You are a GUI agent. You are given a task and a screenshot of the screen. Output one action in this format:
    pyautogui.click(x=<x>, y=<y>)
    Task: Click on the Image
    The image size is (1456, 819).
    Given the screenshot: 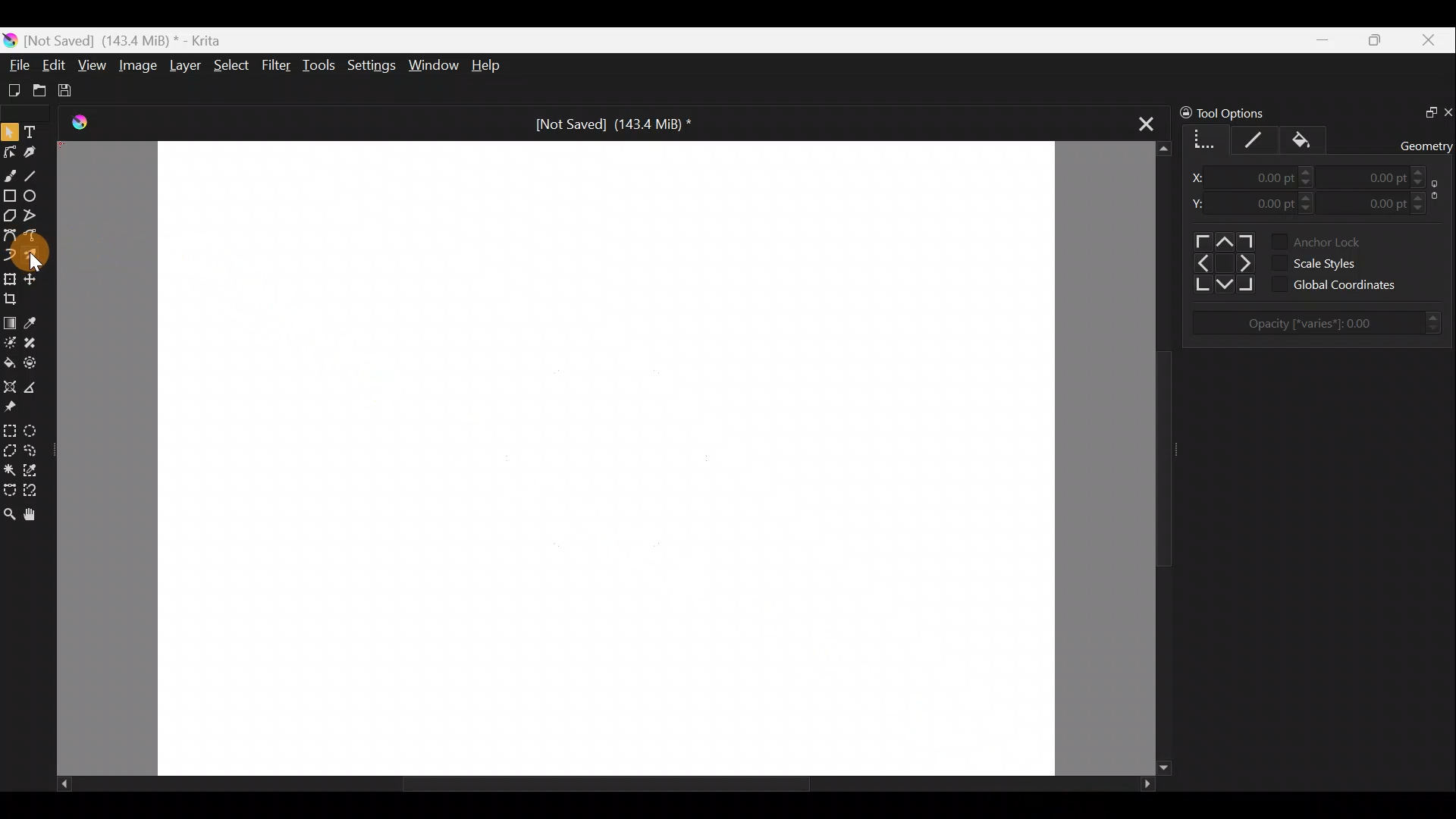 What is the action you would take?
    pyautogui.click(x=136, y=64)
    